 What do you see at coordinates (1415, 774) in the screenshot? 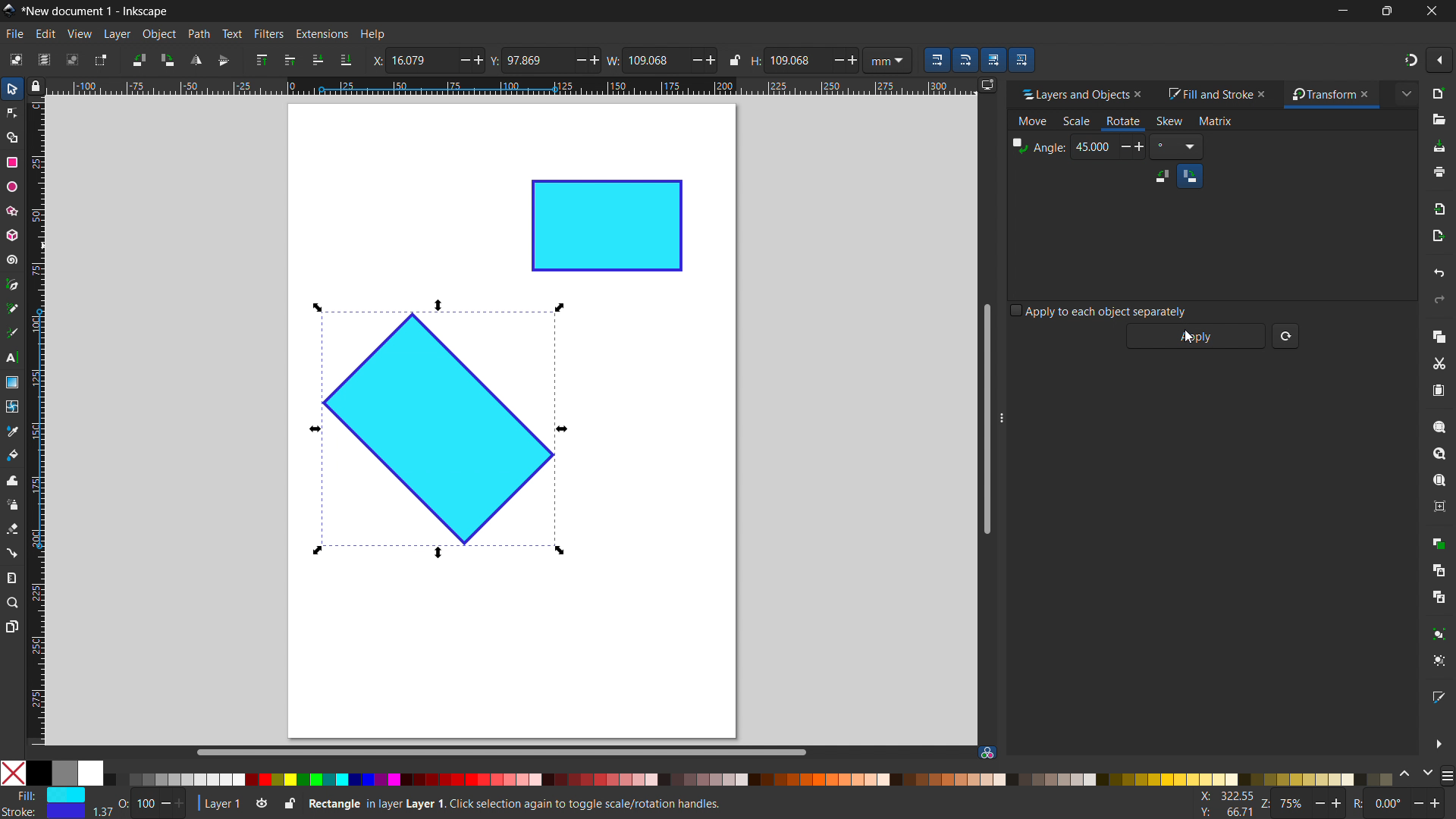
I see `change color schemes` at bounding box center [1415, 774].